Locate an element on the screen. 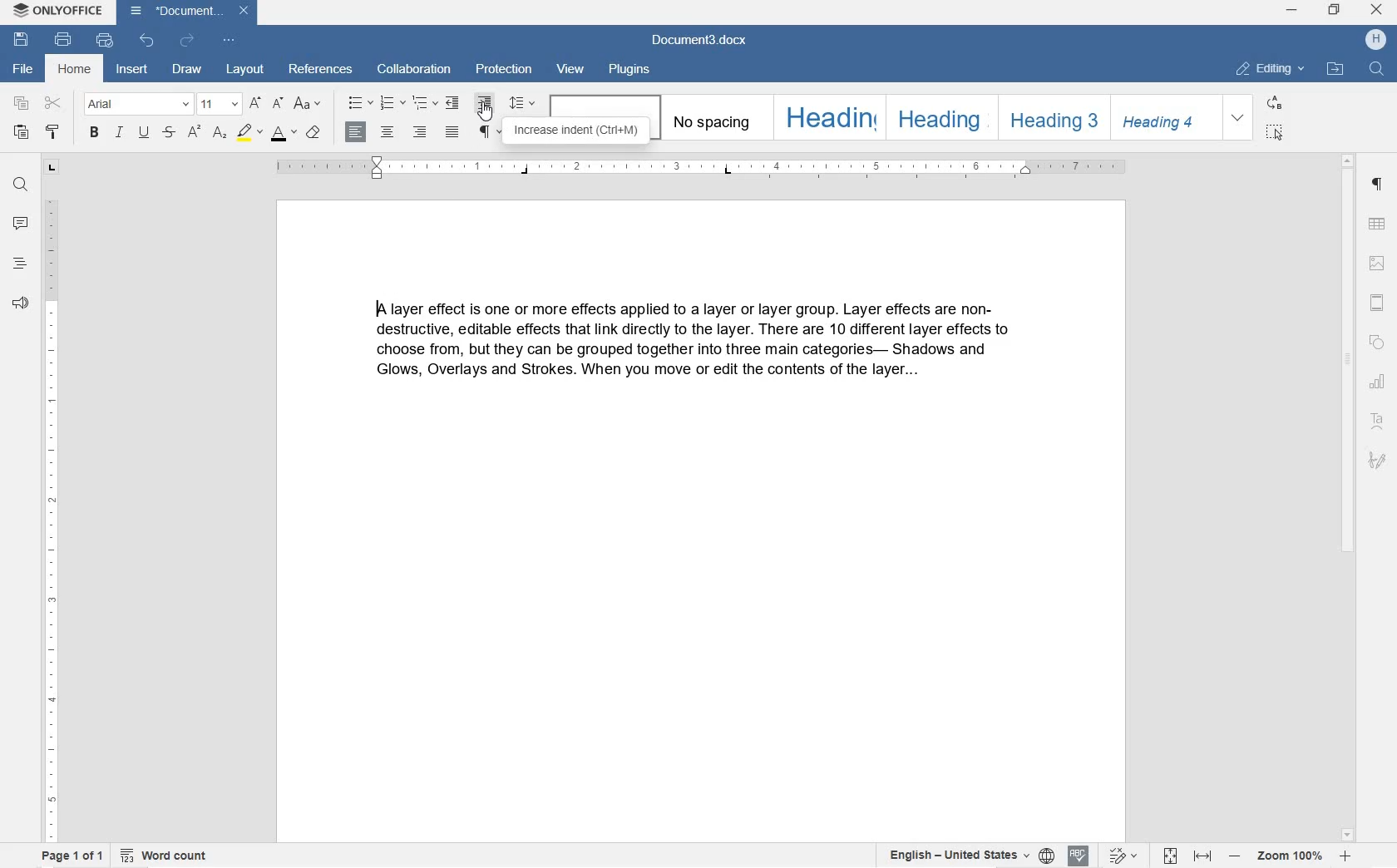 This screenshot has width=1397, height=868. BOLD is located at coordinates (93, 134).